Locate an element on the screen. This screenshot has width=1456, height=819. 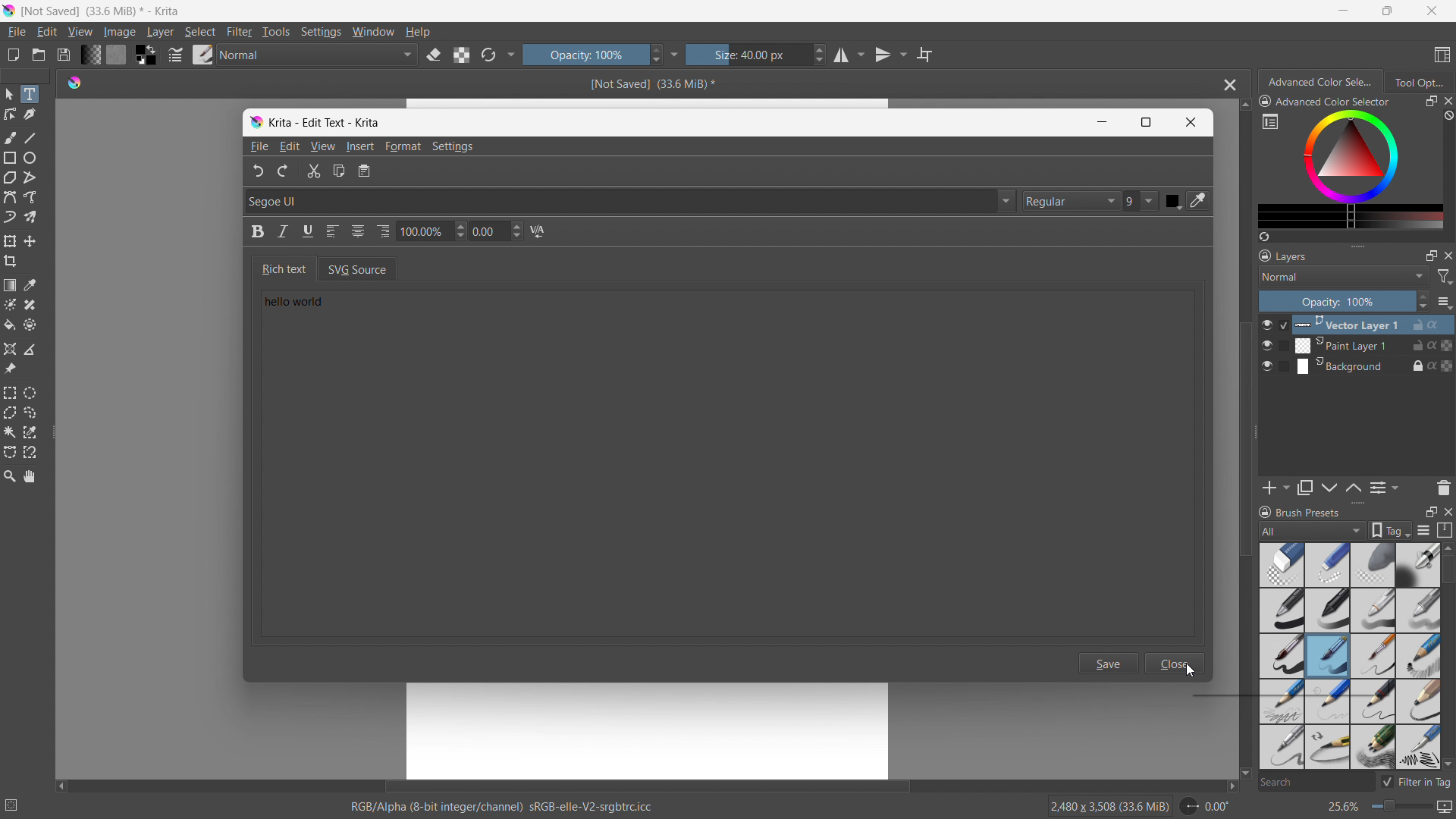
Format is located at coordinates (405, 147).